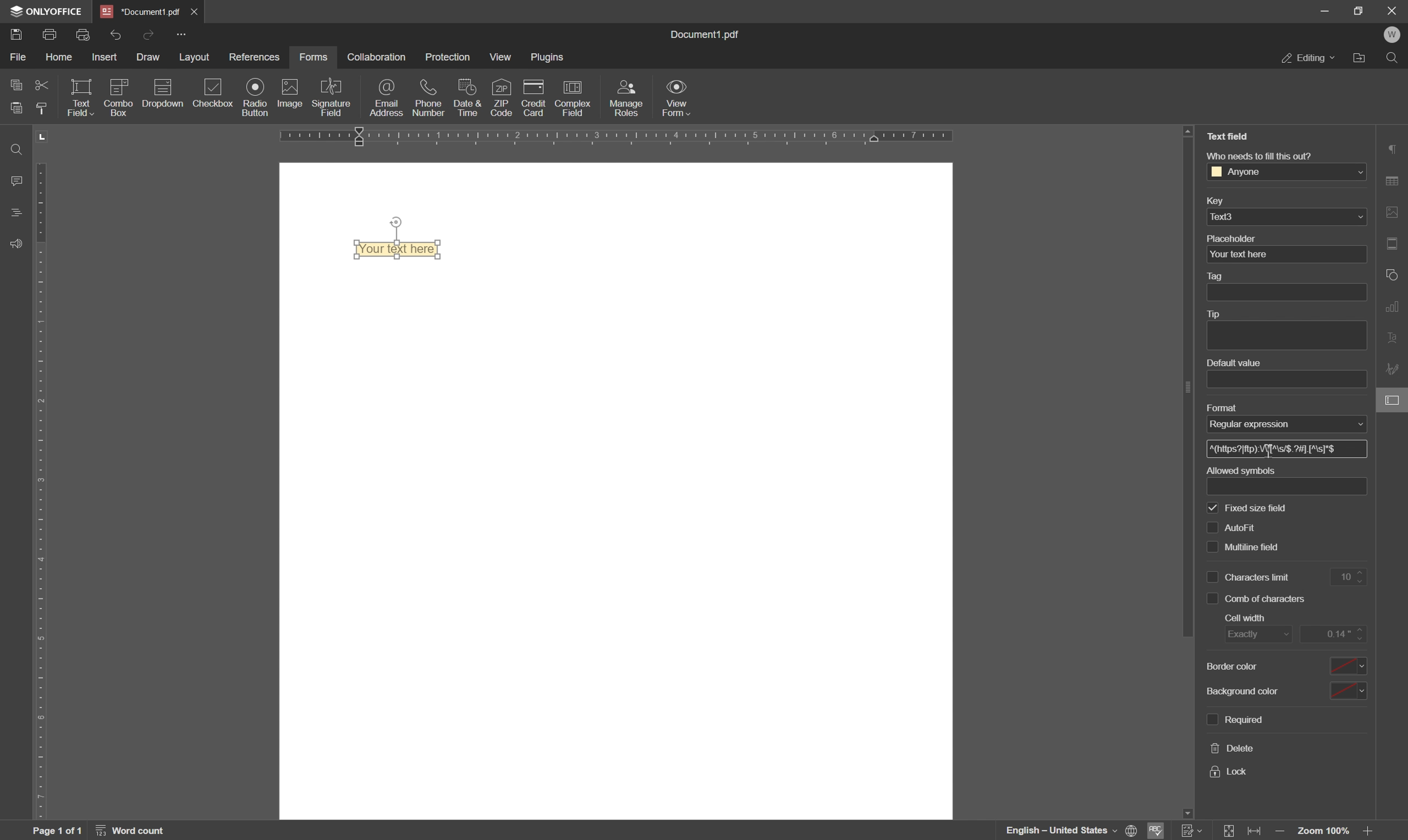 The height and width of the screenshot is (840, 1408). I want to click on draw, so click(149, 59).